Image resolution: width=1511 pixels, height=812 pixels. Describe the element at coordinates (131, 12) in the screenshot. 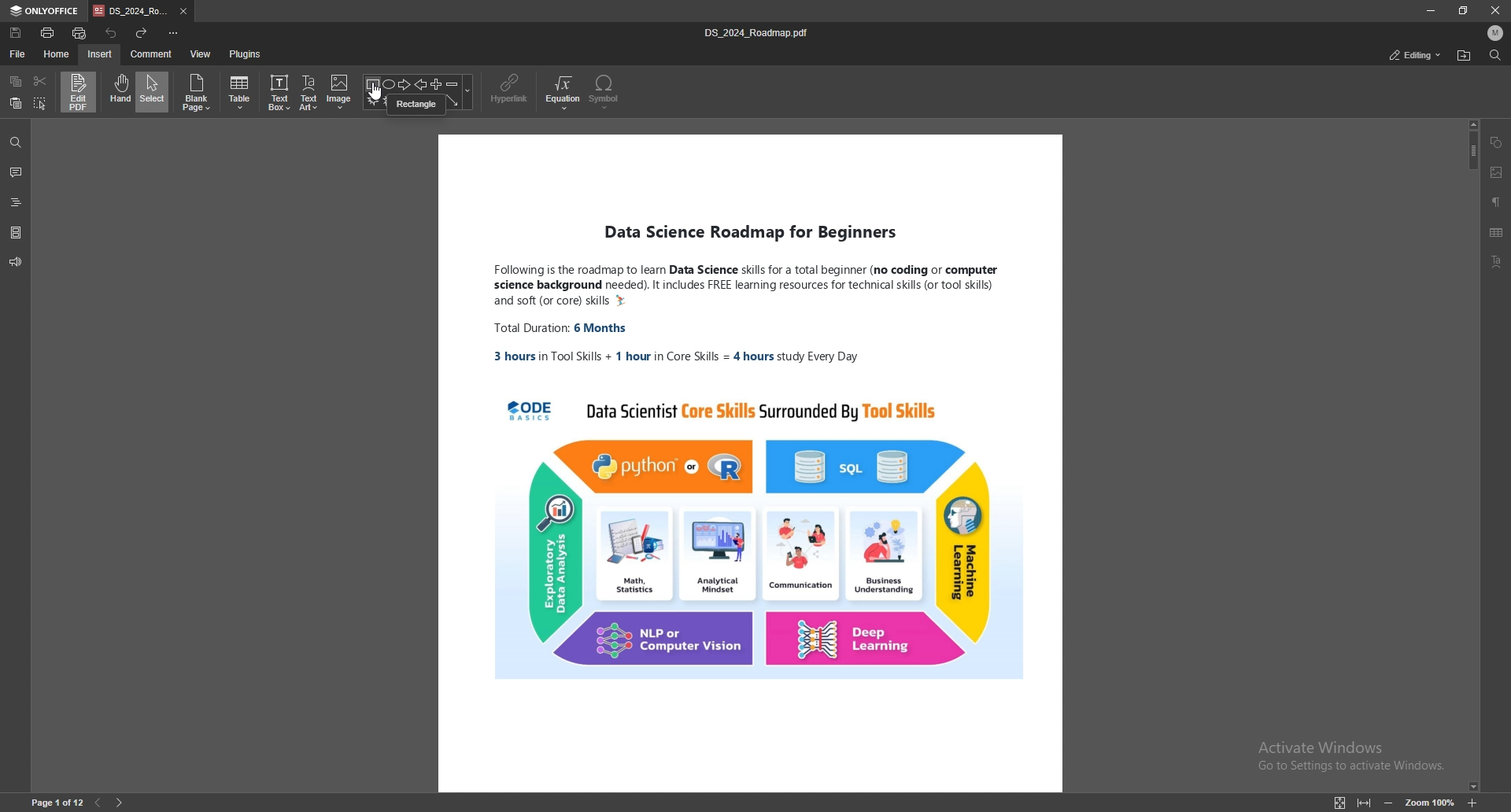

I see `tab` at that location.